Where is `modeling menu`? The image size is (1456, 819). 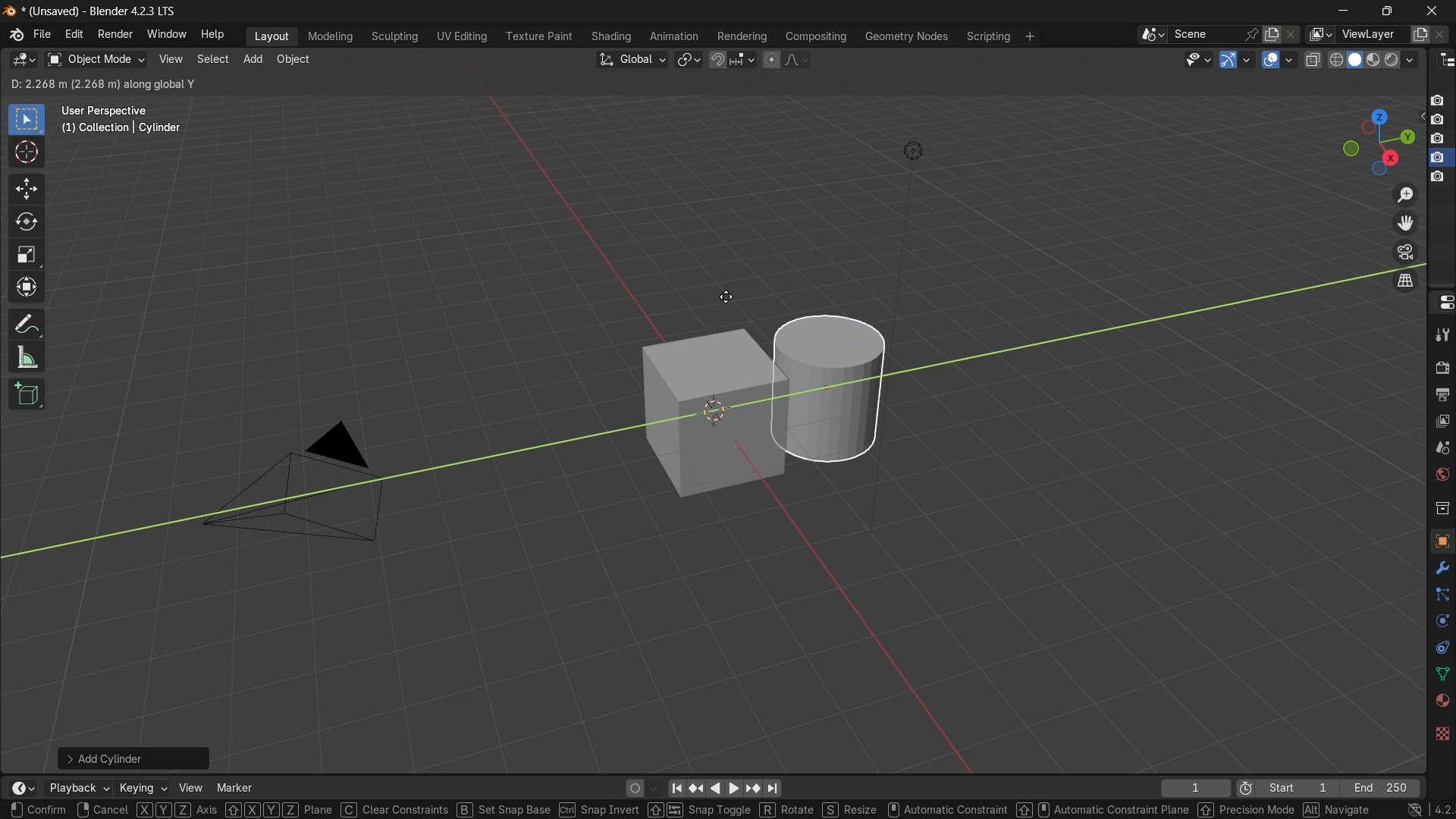
modeling menu is located at coordinates (330, 37).